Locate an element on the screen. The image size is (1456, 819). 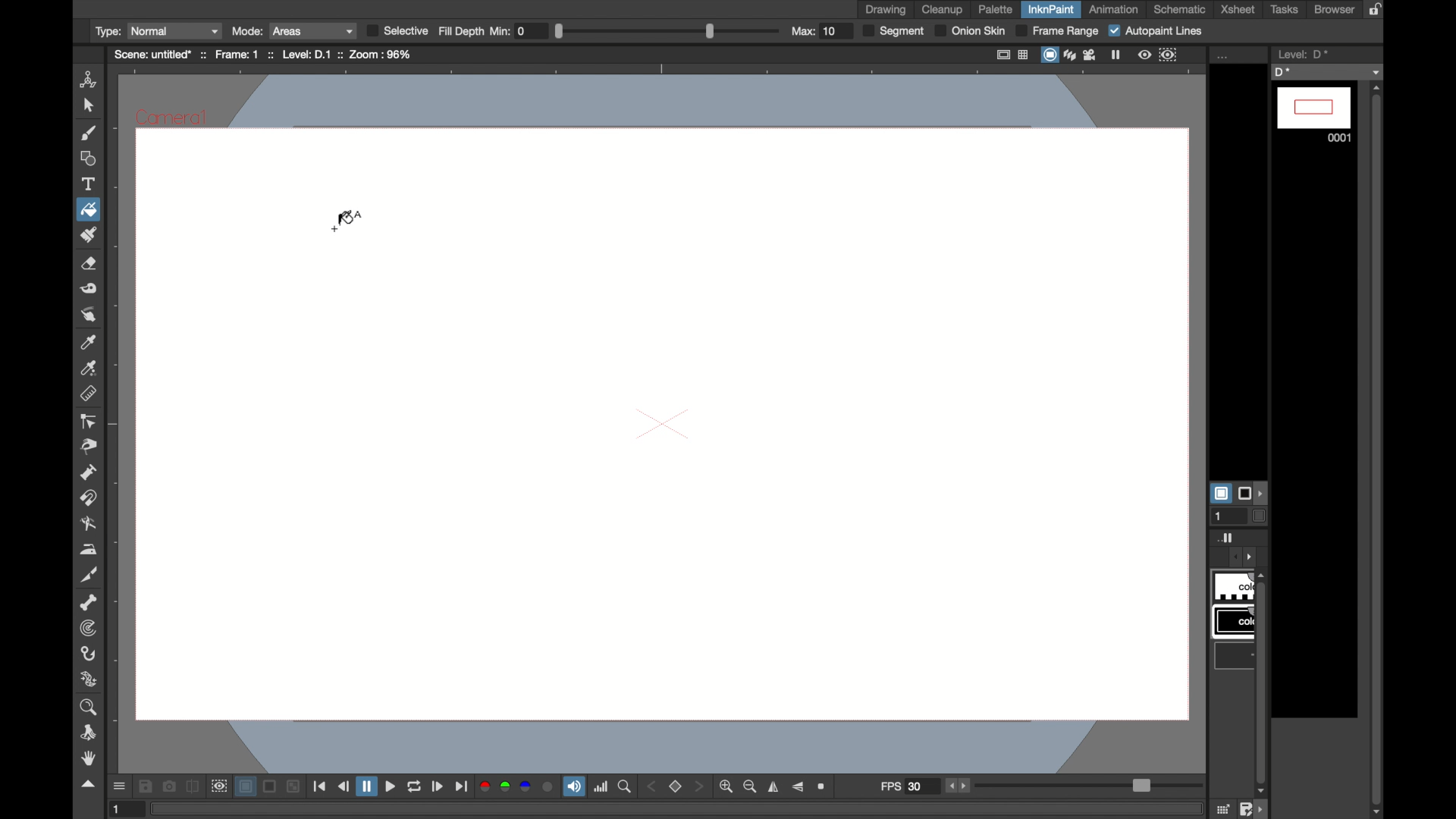
compare to snapshot is located at coordinates (193, 786).